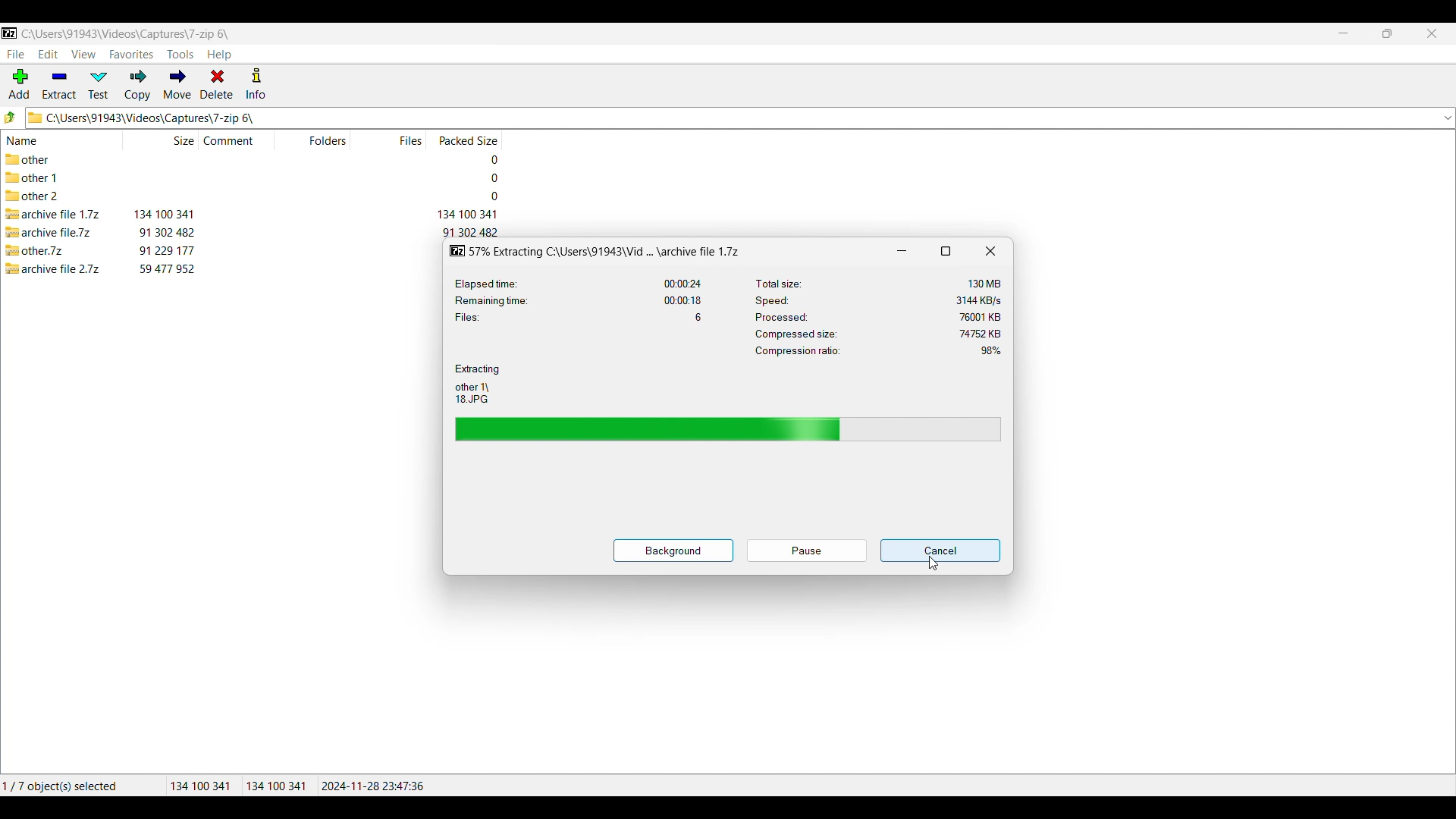  What do you see at coordinates (52, 232) in the screenshot?
I see `archive file.7z` at bounding box center [52, 232].